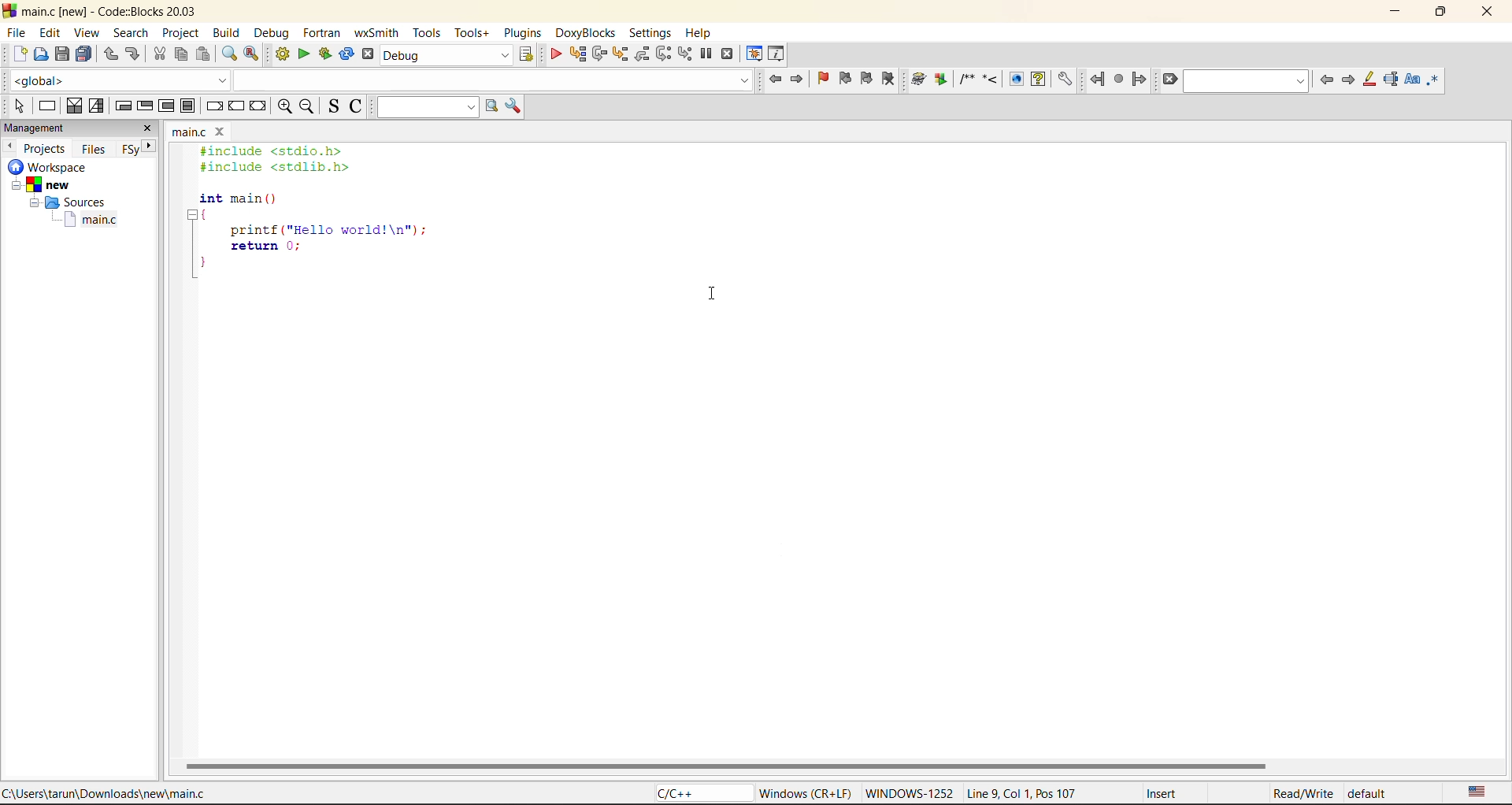 Image resolution: width=1512 pixels, height=805 pixels. I want to click on clear bookmark, so click(888, 78).